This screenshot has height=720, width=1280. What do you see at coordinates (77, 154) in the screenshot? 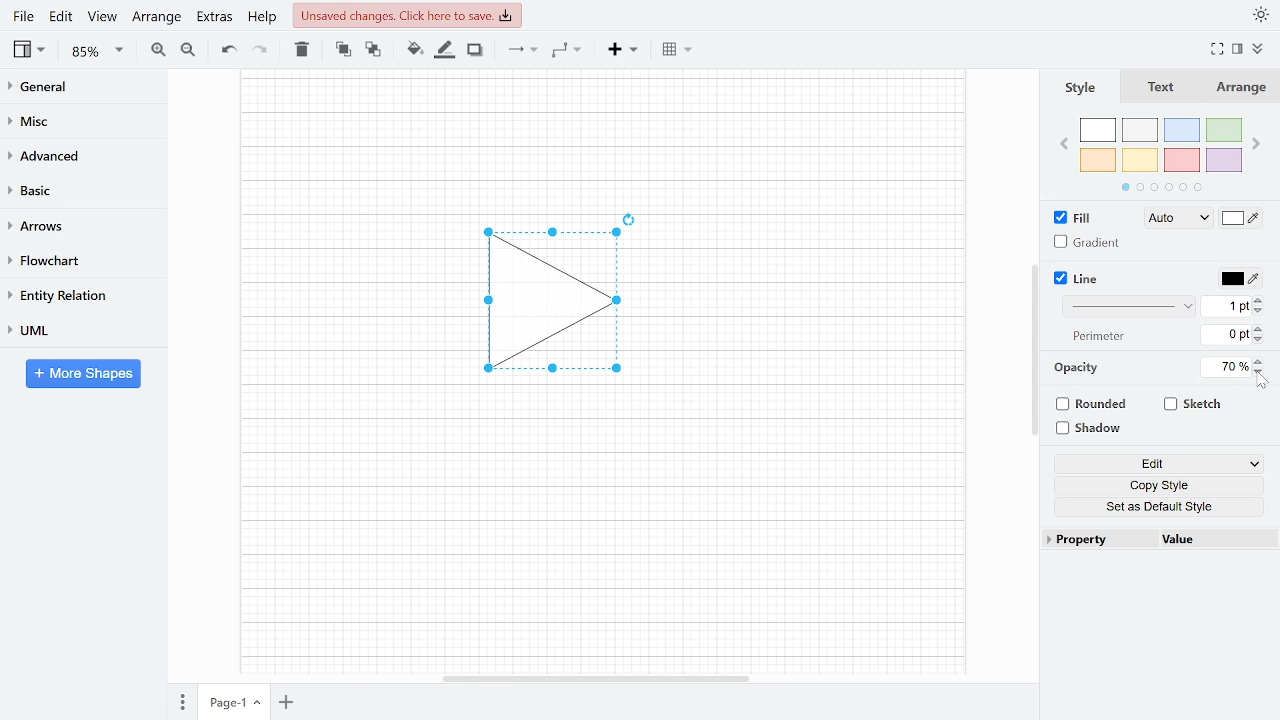
I see `Advanced` at bounding box center [77, 154].